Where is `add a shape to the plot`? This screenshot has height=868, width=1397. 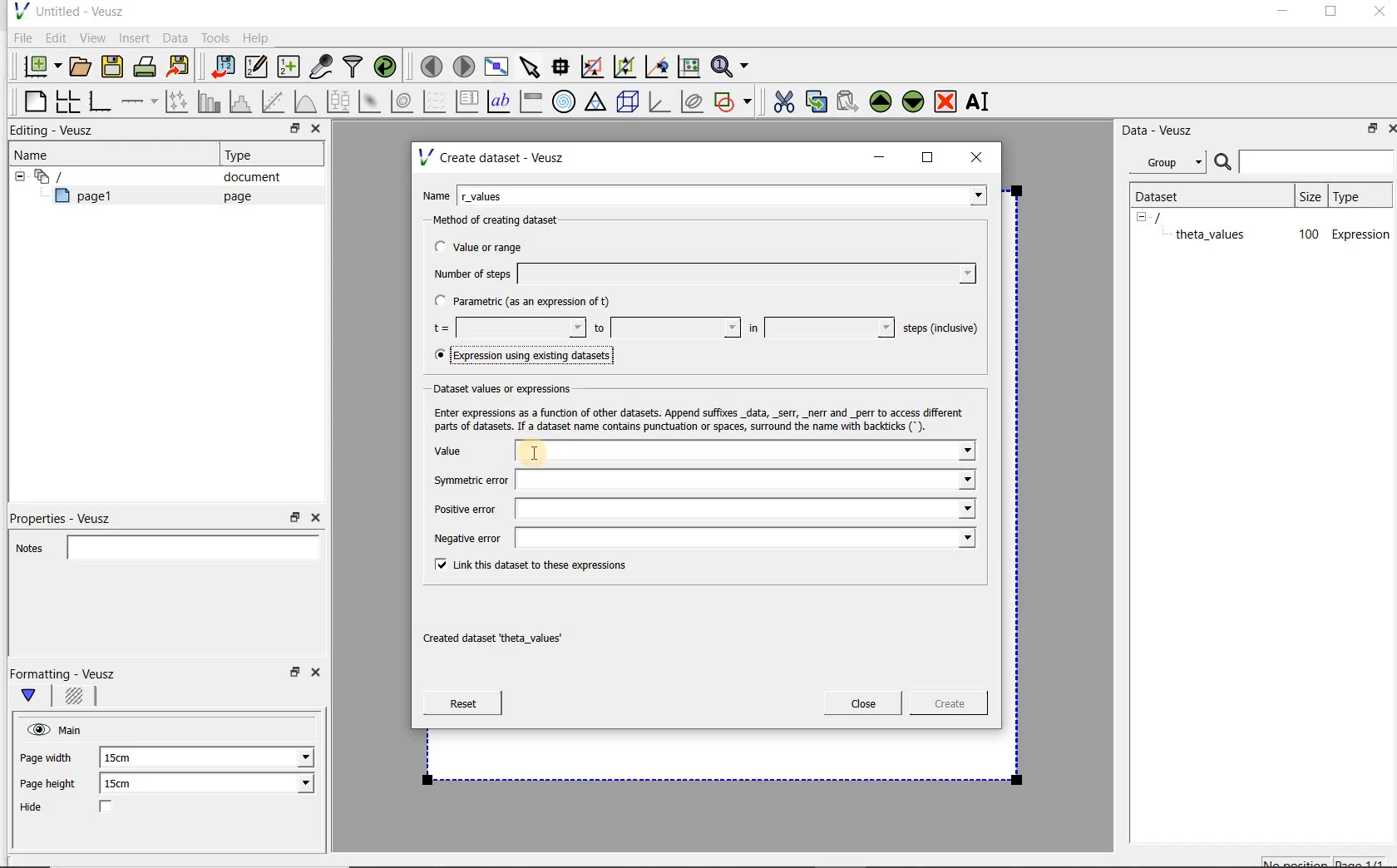 add a shape to the plot is located at coordinates (734, 100).